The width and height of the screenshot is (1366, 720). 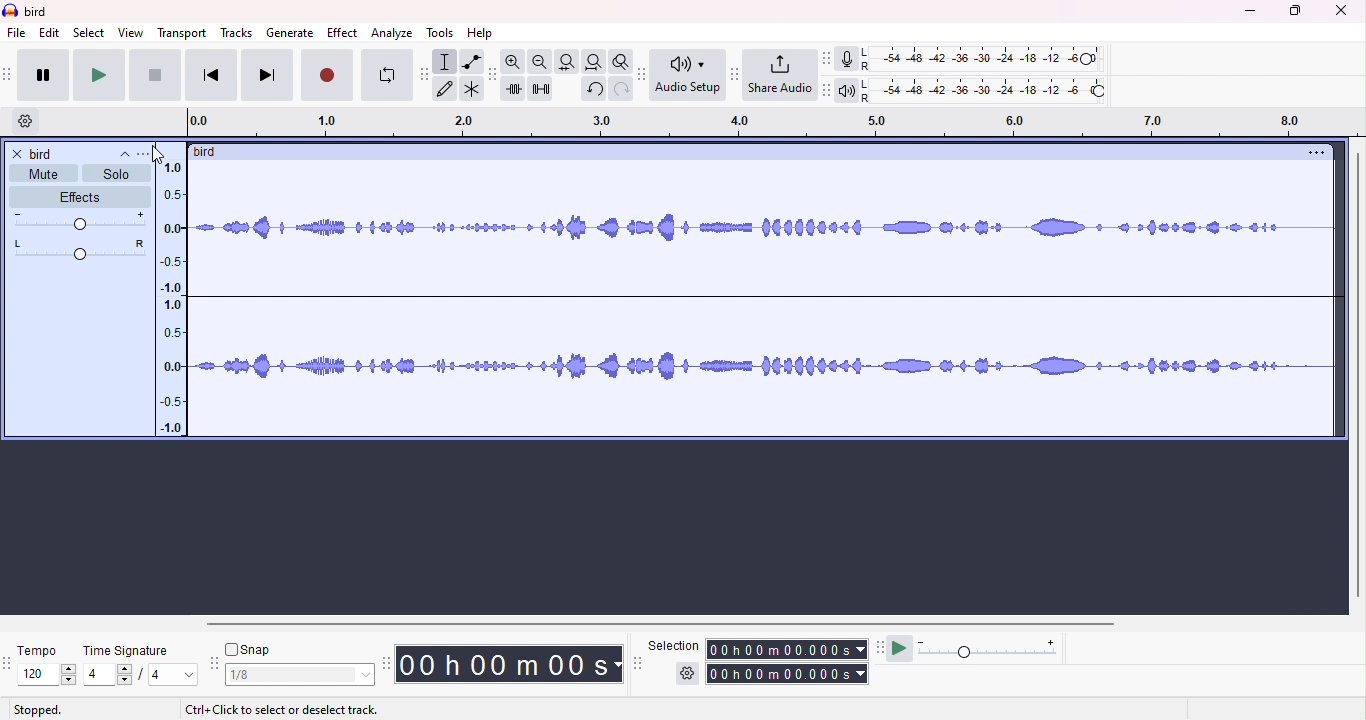 I want to click on stop, so click(x=154, y=76).